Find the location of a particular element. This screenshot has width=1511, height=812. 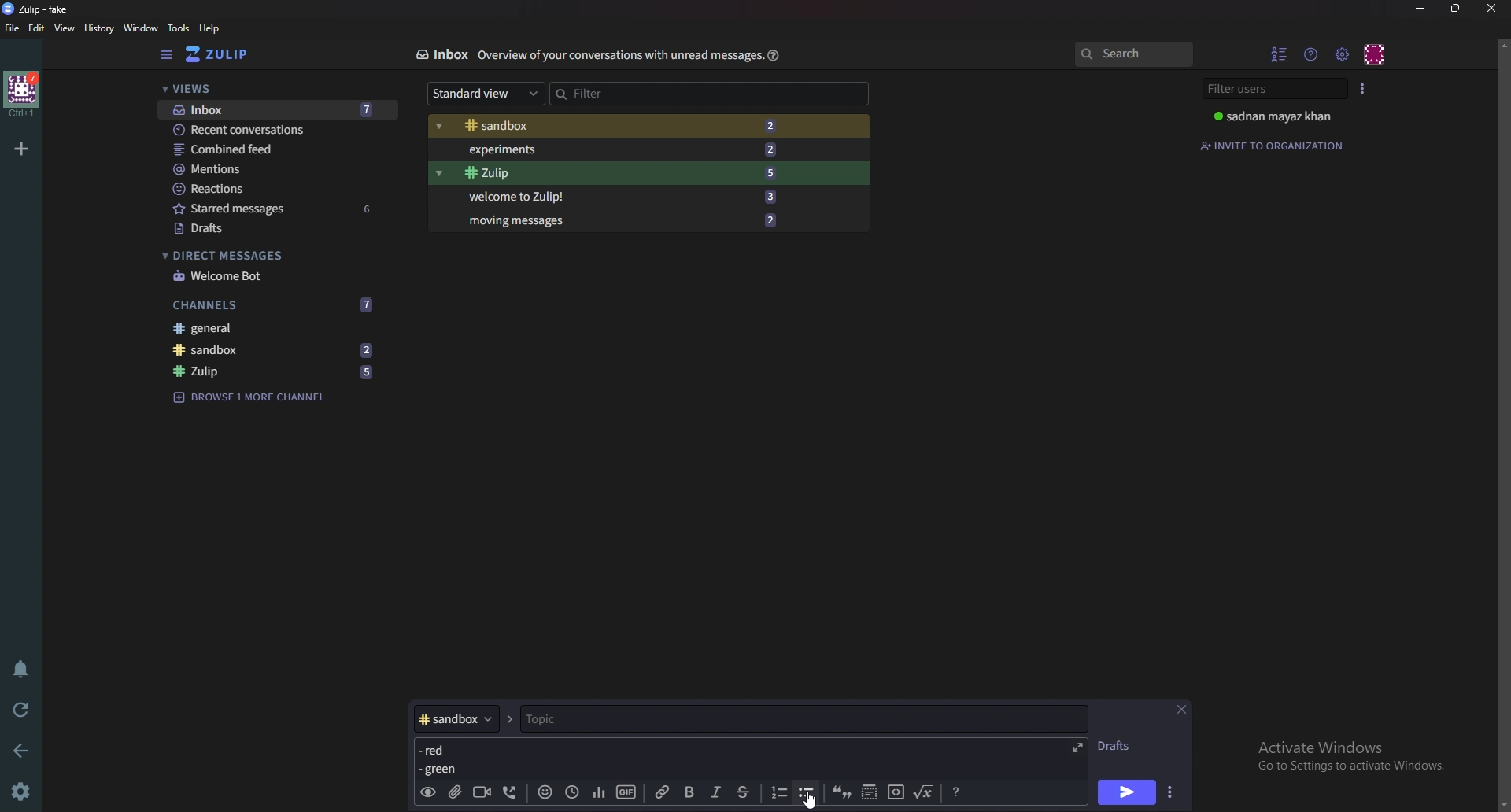

Tools is located at coordinates (179, 28).